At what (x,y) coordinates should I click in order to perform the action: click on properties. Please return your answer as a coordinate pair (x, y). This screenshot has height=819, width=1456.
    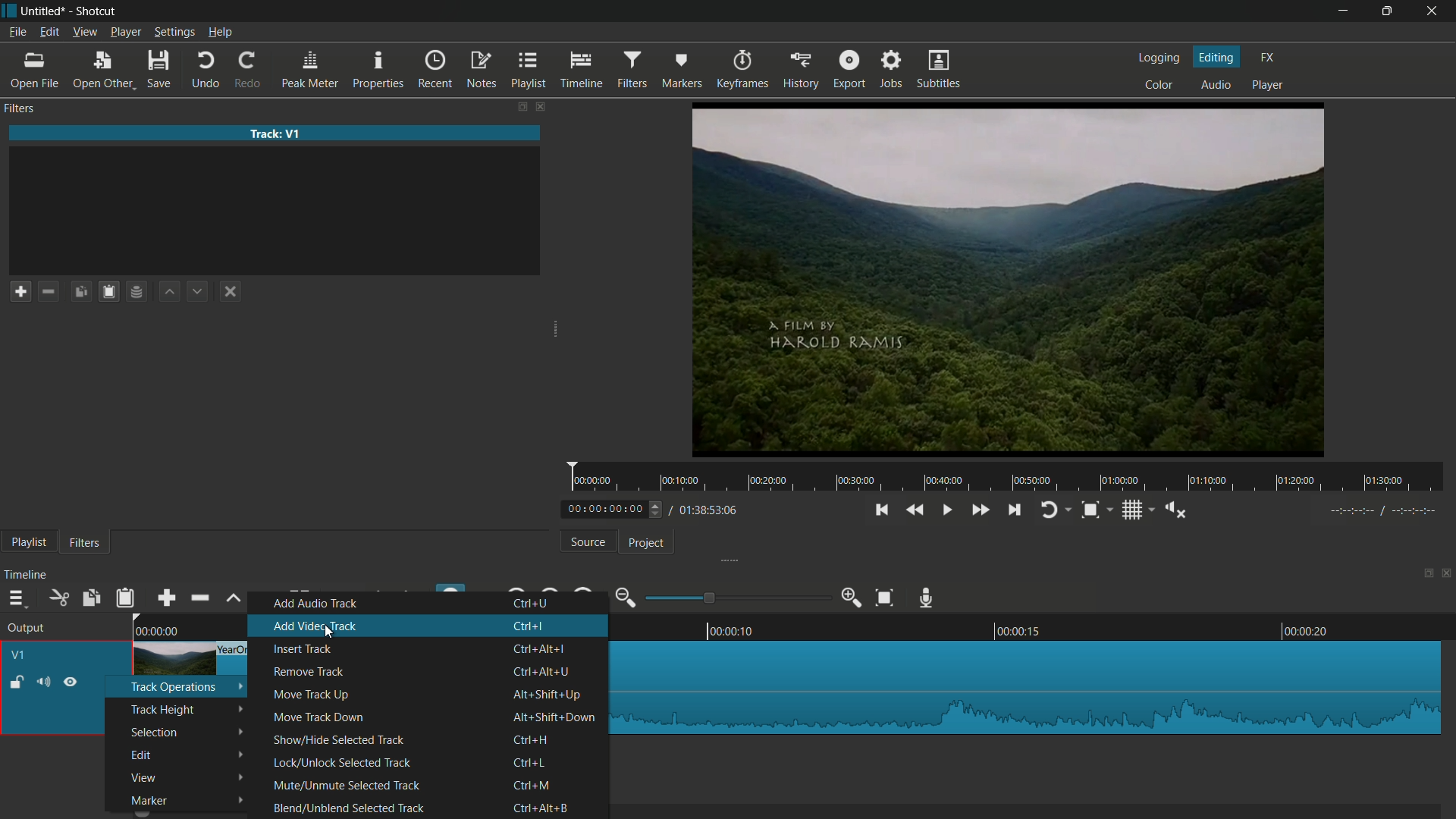
    Looking at the image, I should click on (380, 71).